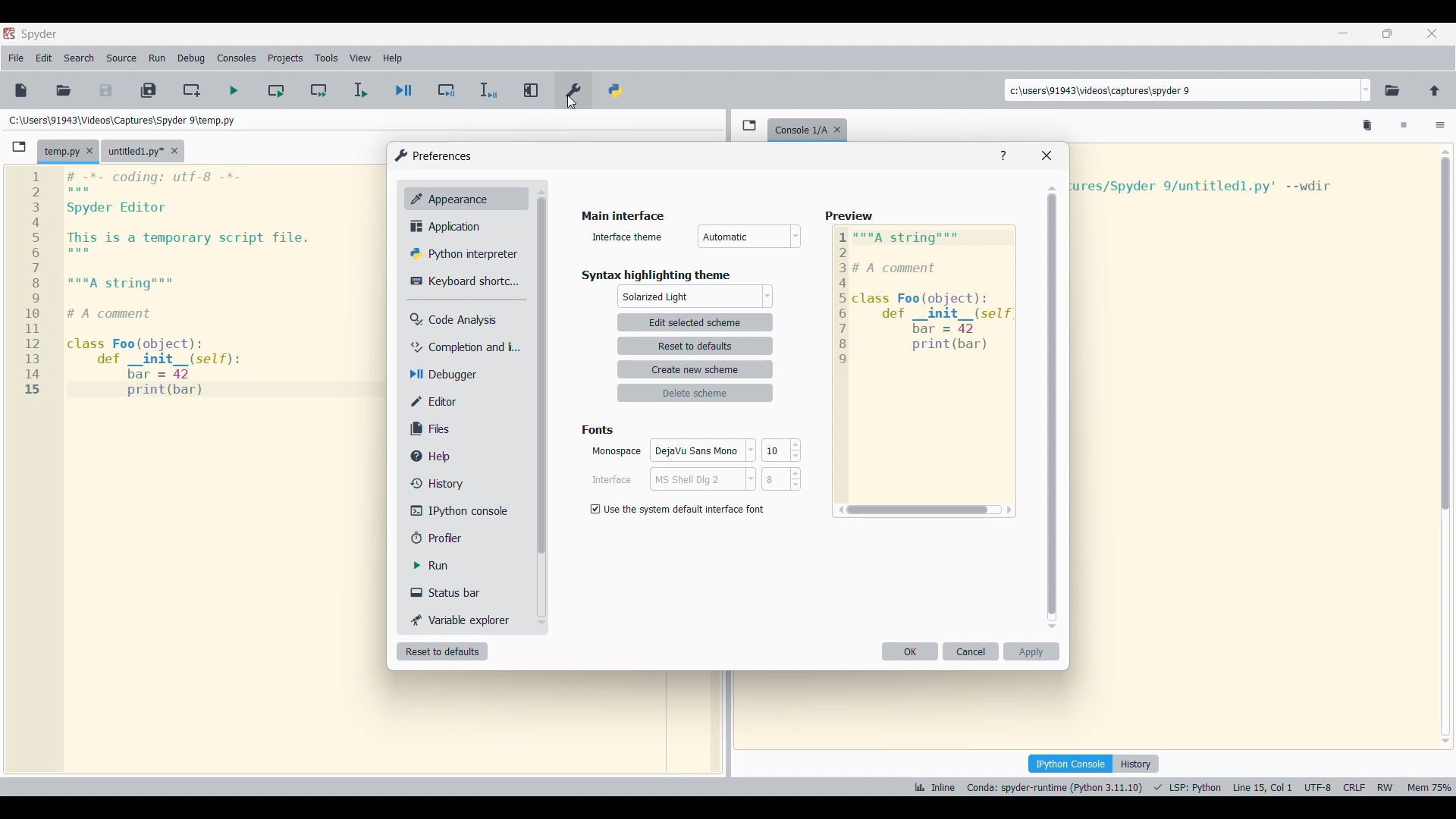 The width and height of the screenshot is (1456, 819). Describe the element at coordinates (573, 89) in the screenshot. I see `Preferences, highlighted by cursor` at that location.